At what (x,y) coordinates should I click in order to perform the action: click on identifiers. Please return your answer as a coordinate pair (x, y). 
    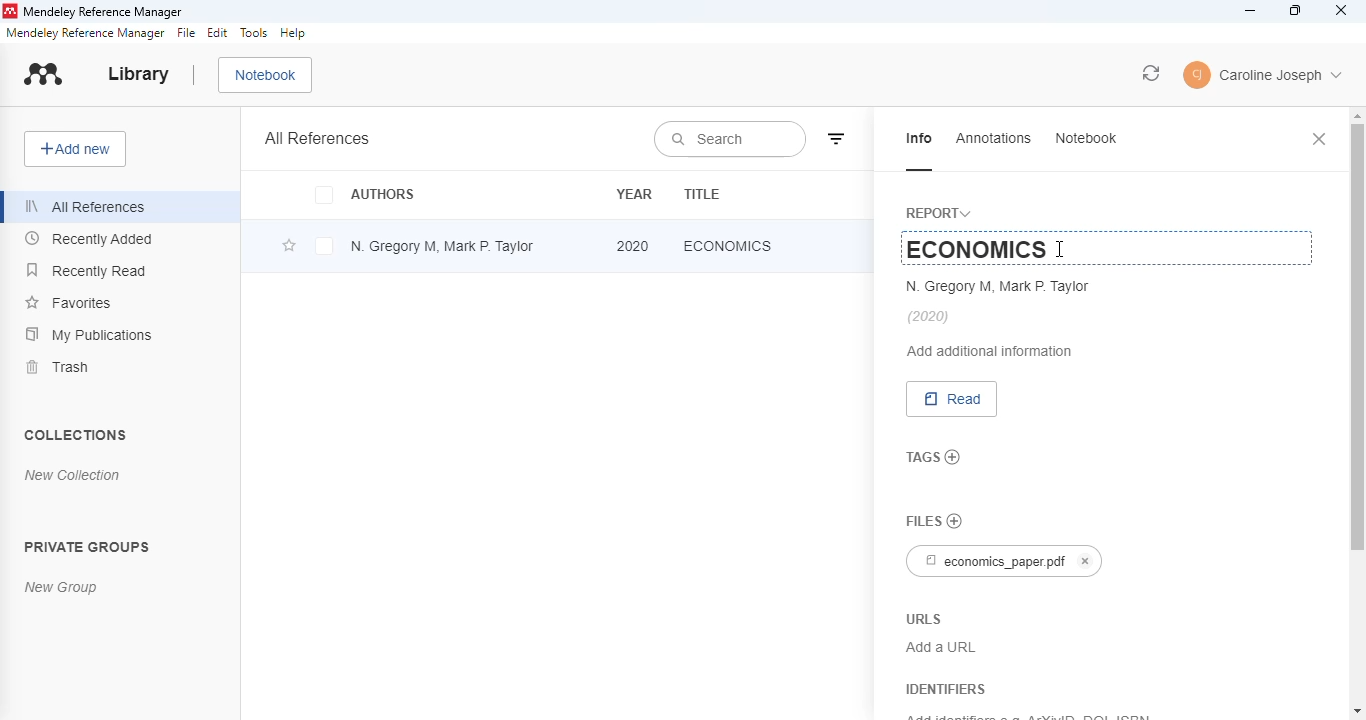
    Looking at the image, I should click on (947, 688).